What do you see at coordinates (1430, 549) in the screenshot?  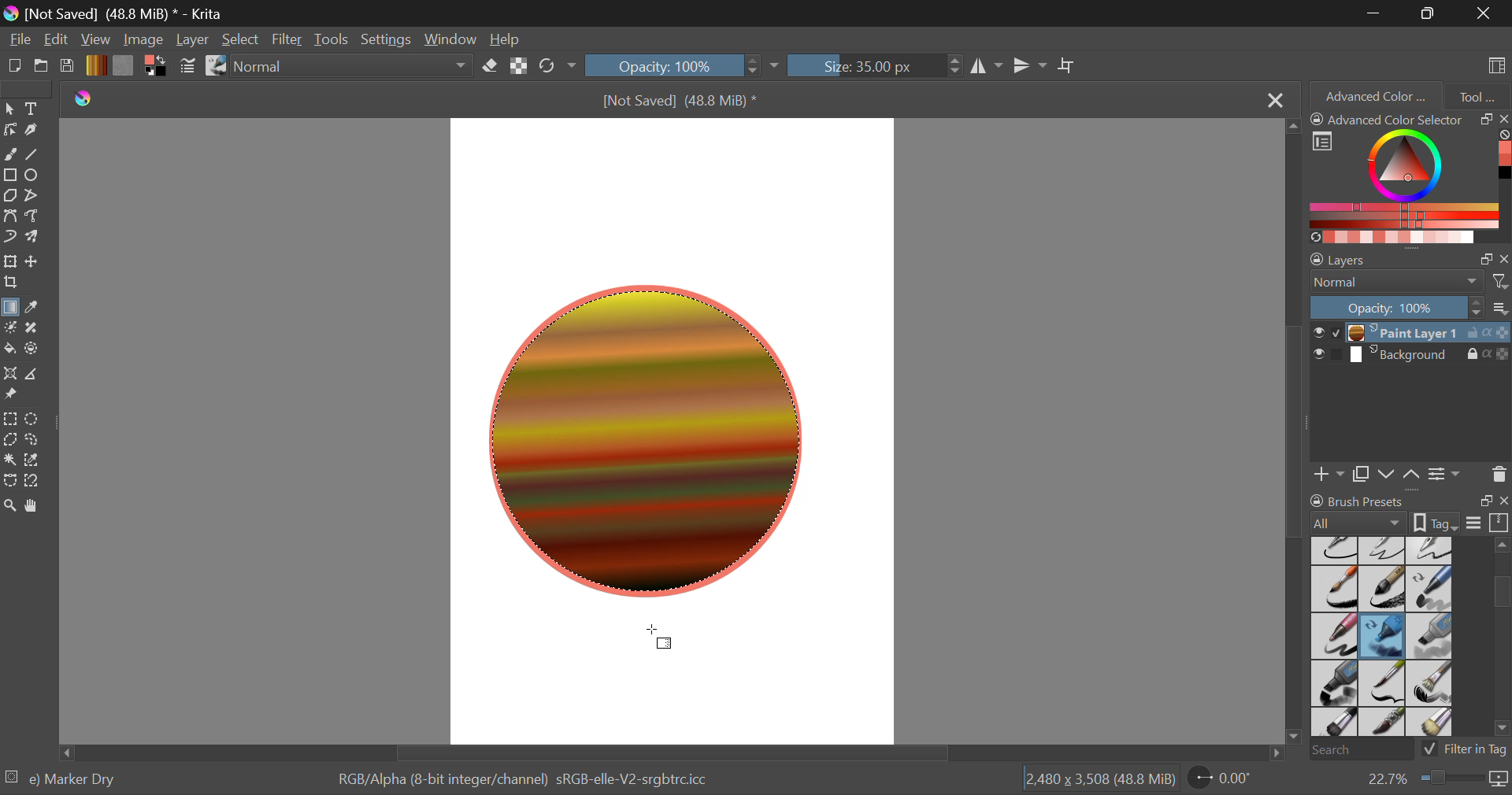 I see `Ink-4 Pen Rough` at bounding box center [1430, 549].